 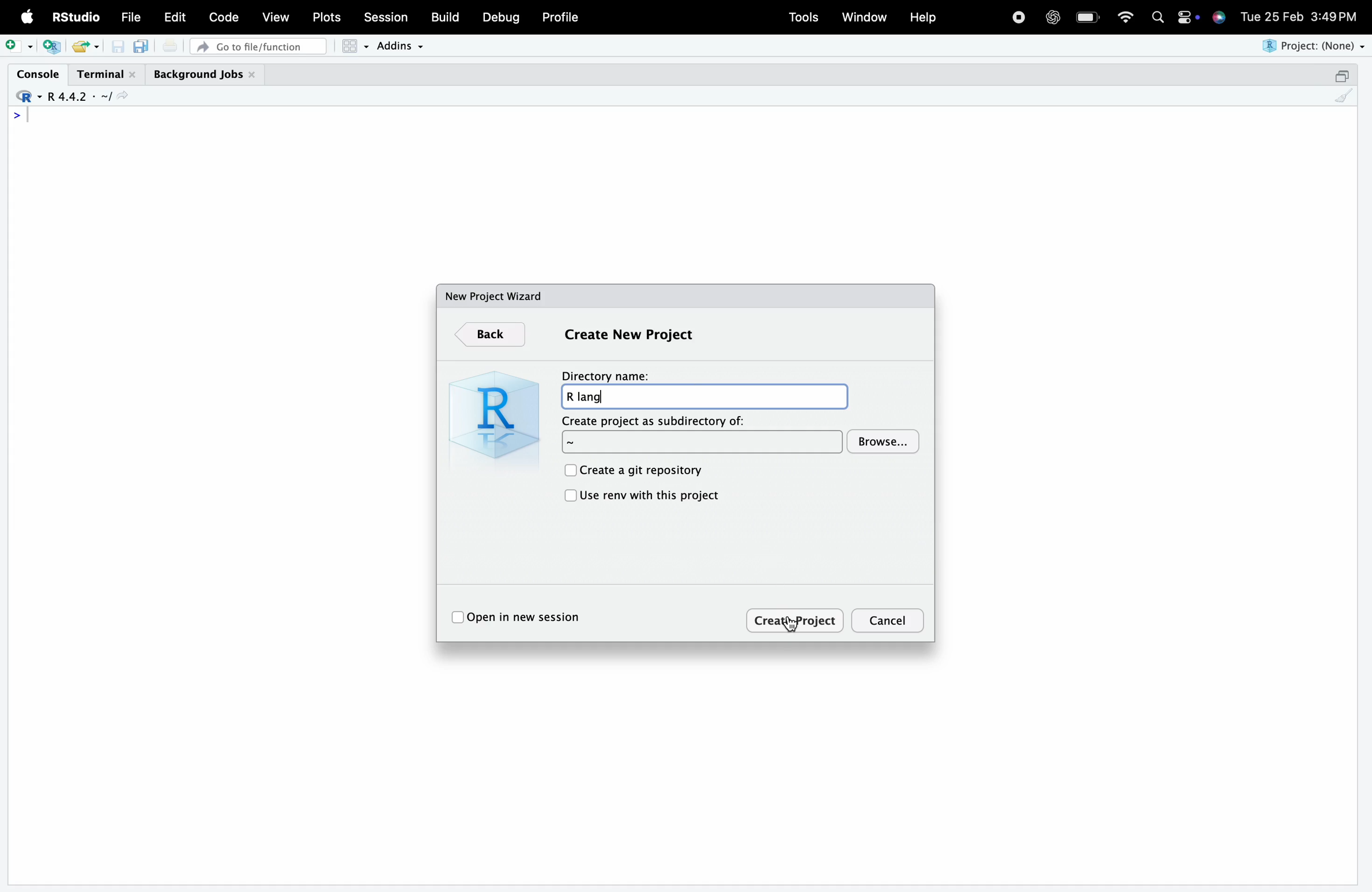 What do you see at coordinates (77, 97) in the screenshot?
I see `R4.4.2 - ~` at bounding box center [77, 97].